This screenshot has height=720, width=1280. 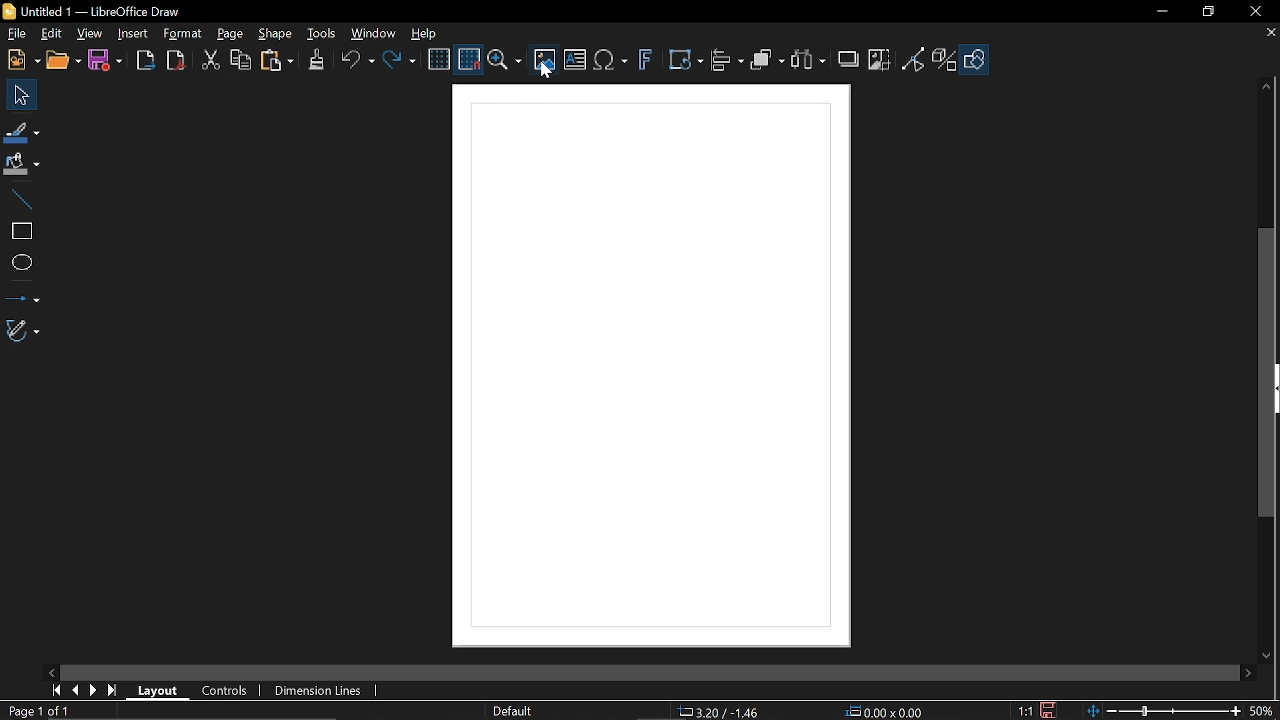 I want to click on Vertical scrollbar, so click(x=1268, y=373).